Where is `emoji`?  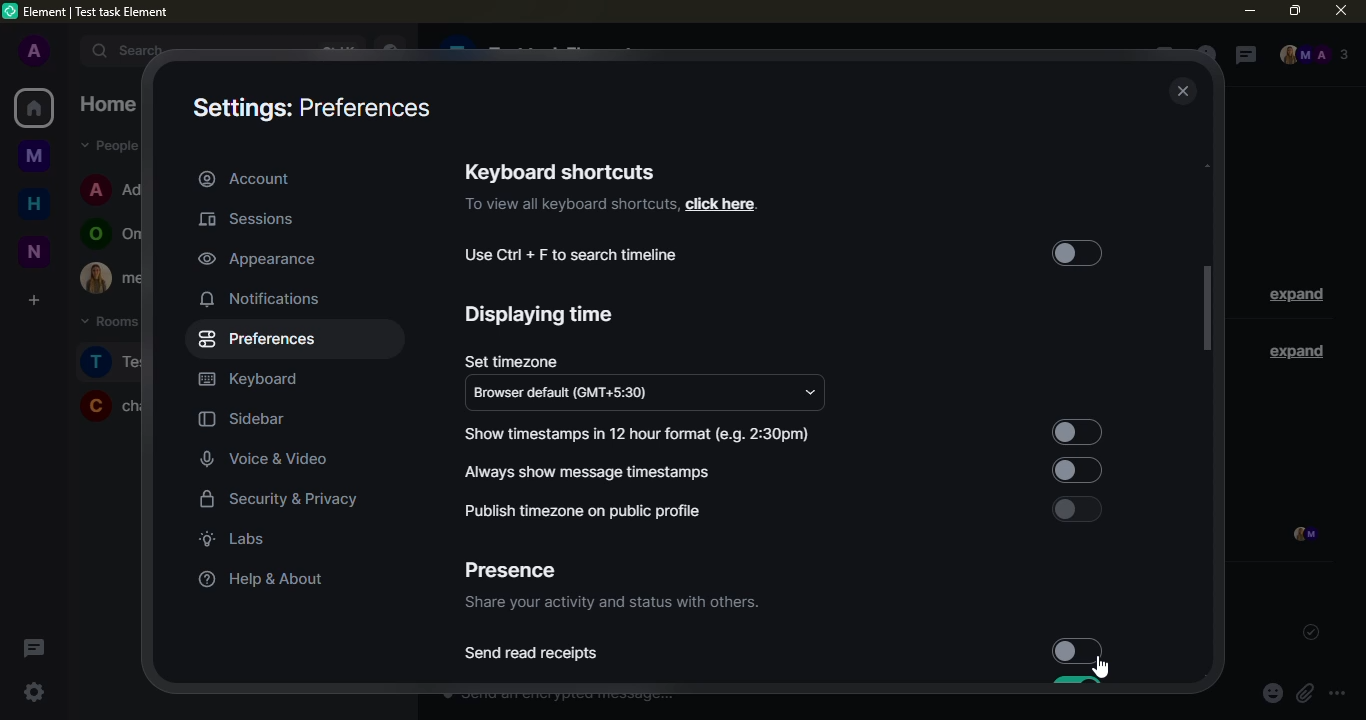 emoji is located at coordinates (1272, 694).